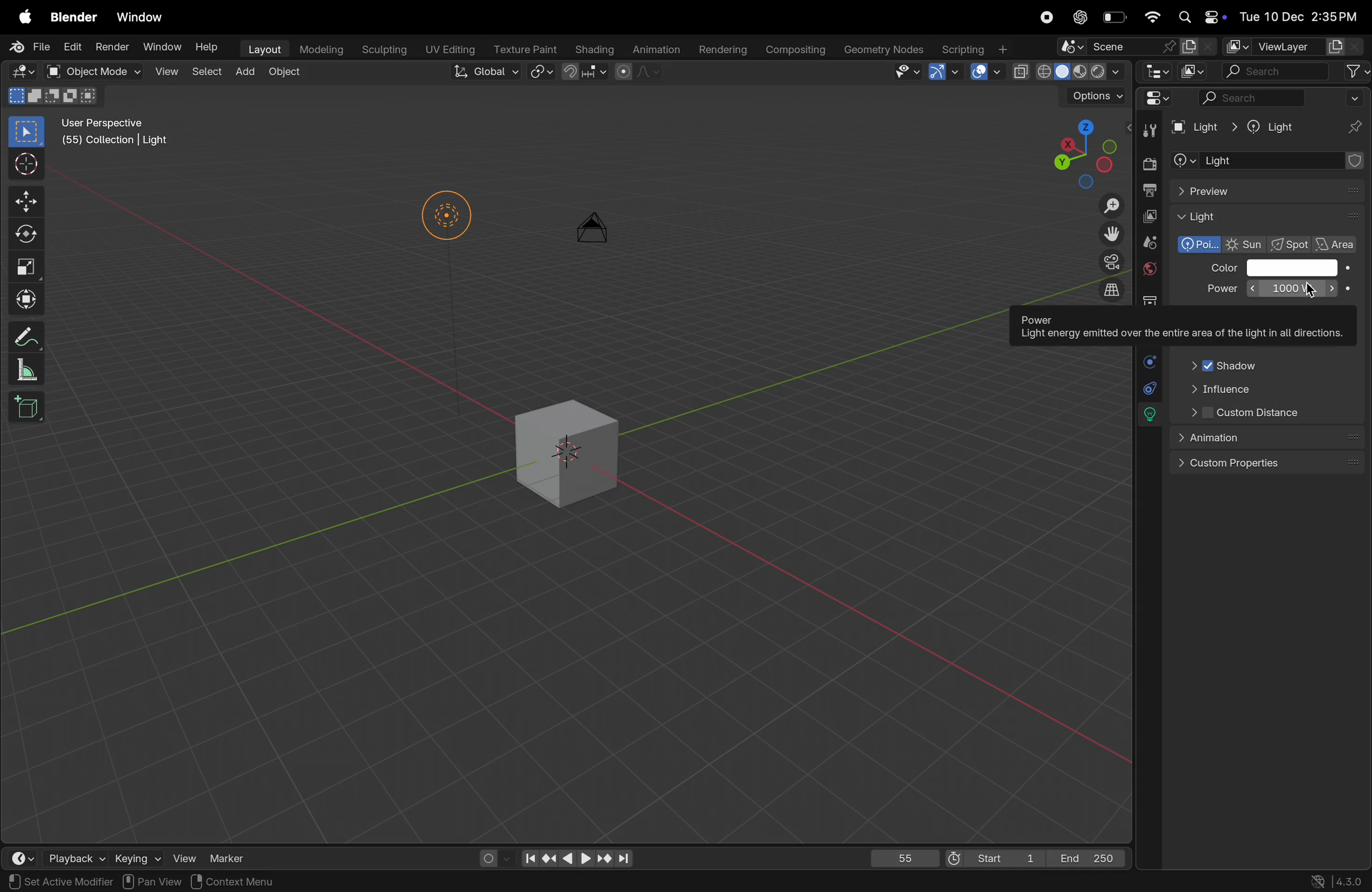  I want to click on rotate, so click(98, 882).